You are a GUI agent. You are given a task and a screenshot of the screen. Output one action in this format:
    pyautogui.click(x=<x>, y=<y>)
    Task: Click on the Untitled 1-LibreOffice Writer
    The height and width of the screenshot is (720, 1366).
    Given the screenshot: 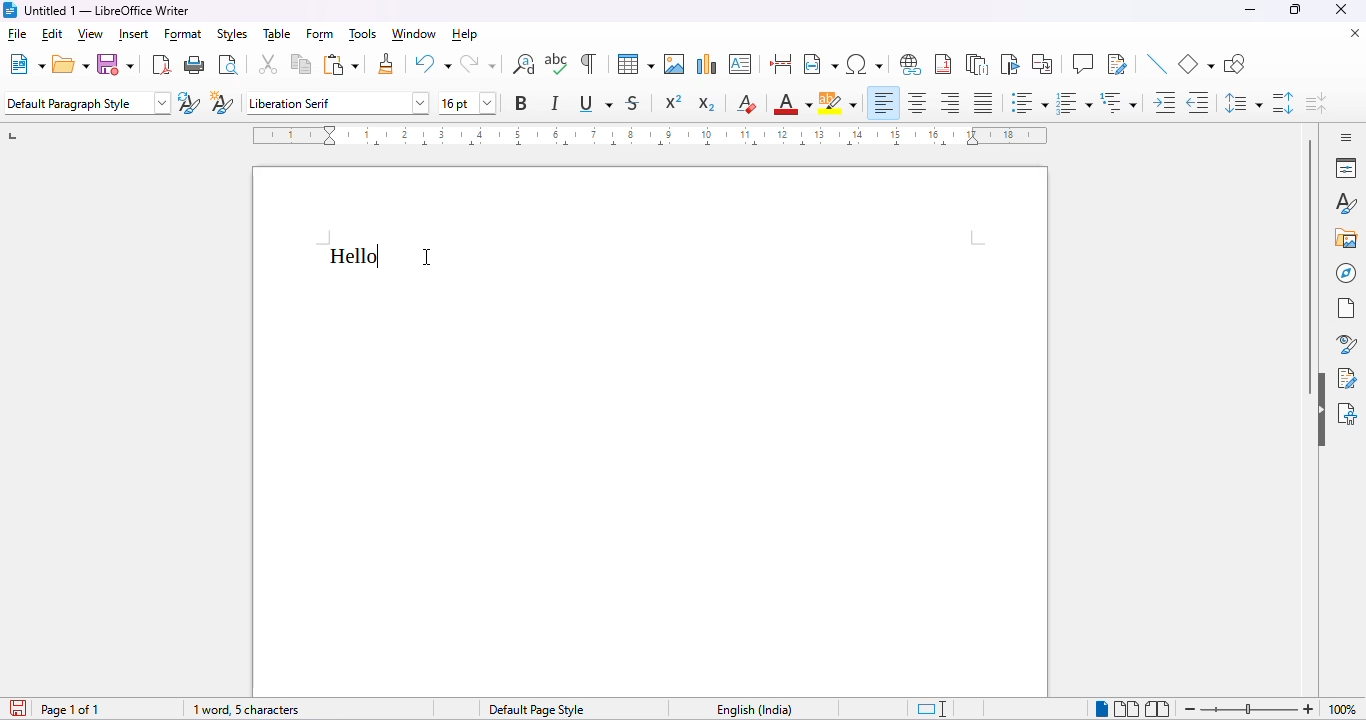 What is the action you would take?
    pyautogui.click(x=108, y=10)
    